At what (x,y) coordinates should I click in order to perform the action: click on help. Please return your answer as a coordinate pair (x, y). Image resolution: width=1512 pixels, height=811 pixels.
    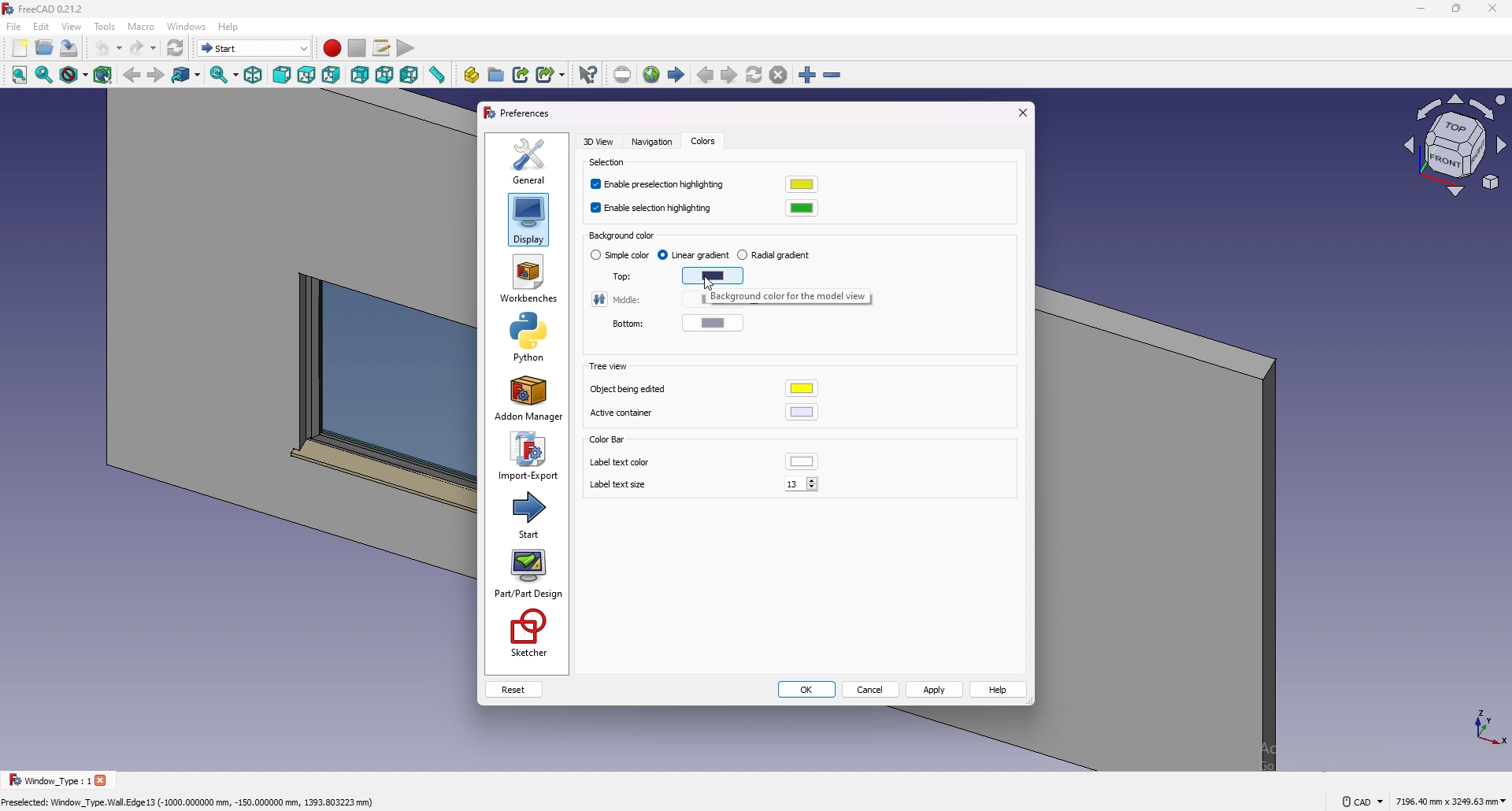
    Looking at the image, I should click on (999, 690).